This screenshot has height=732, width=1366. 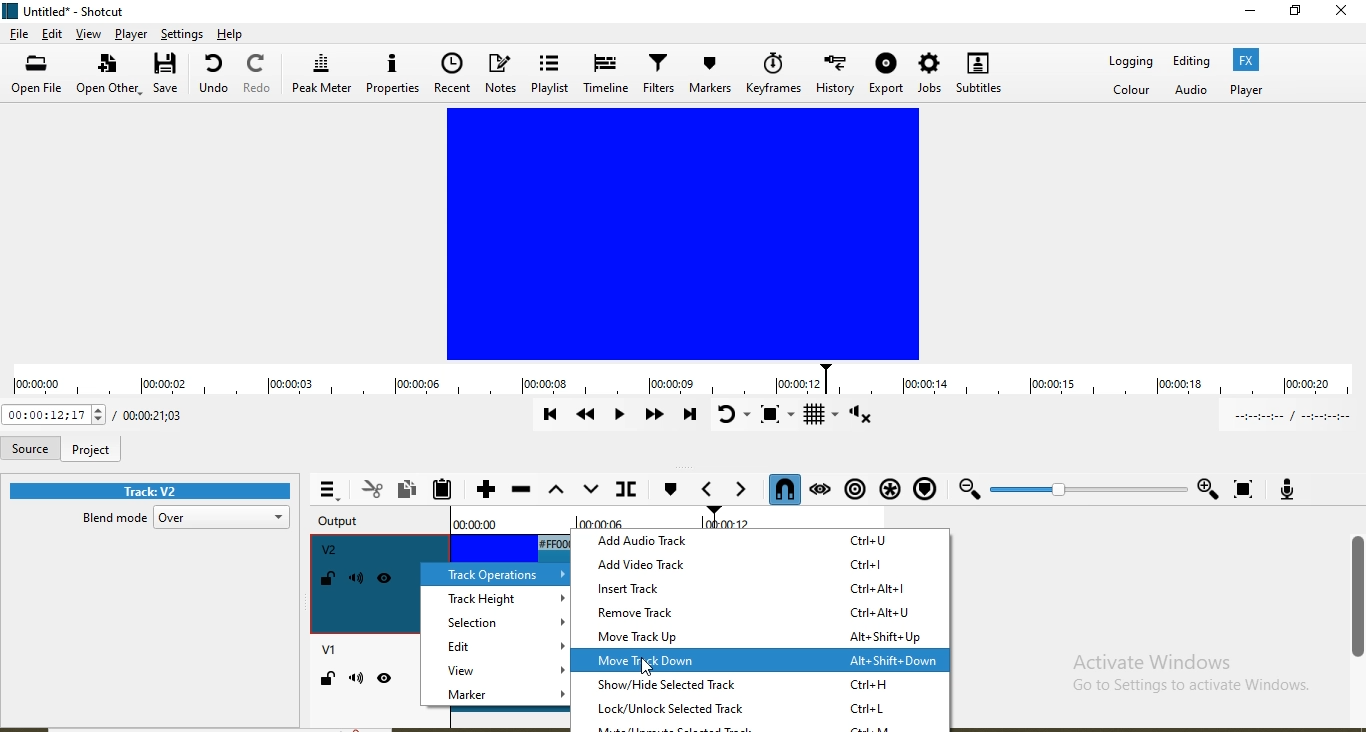 I want to click on edit, so click(x=496, y=646).